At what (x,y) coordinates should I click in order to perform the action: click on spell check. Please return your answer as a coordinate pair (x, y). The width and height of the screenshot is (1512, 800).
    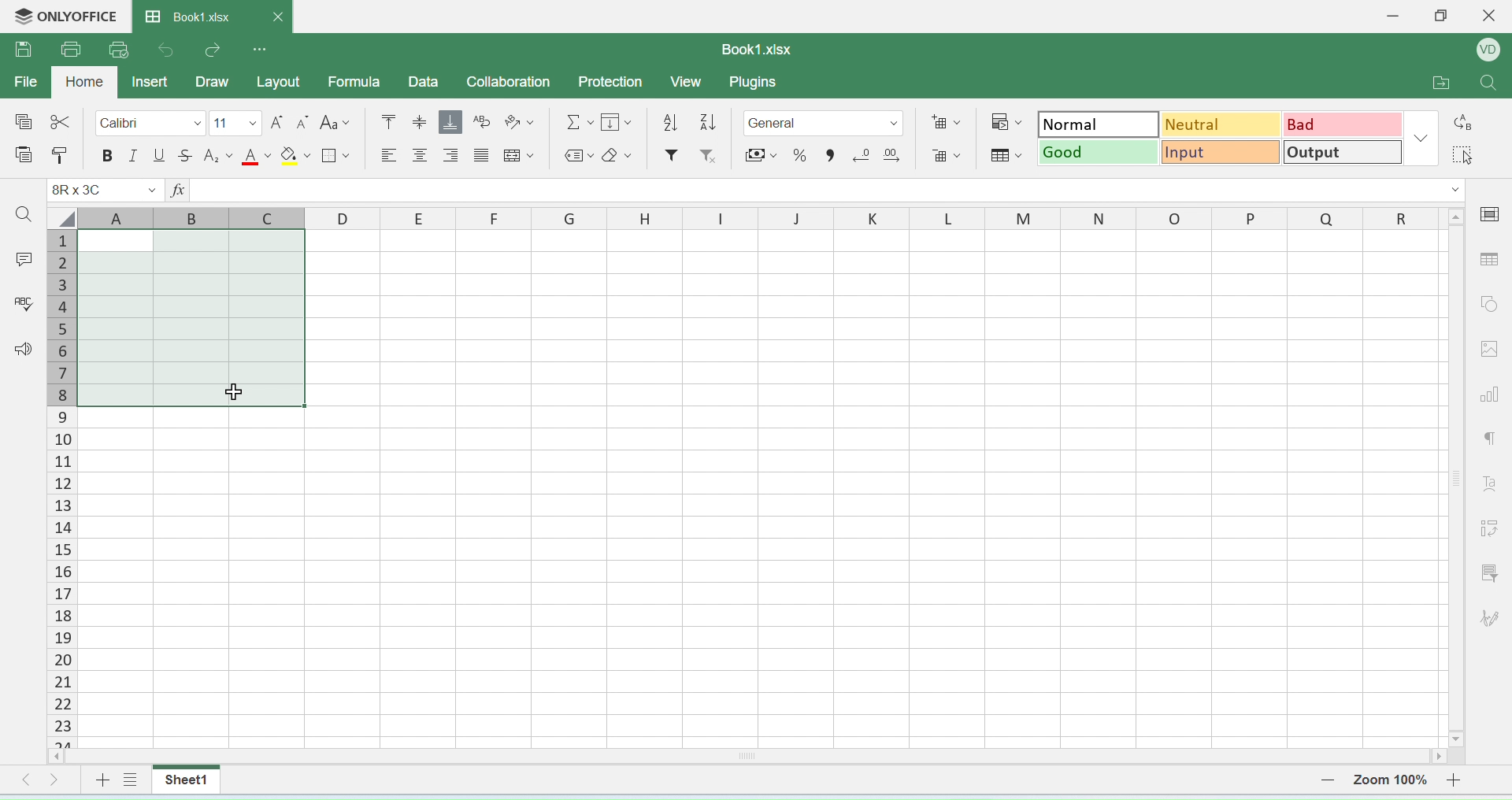
    Looking at the image, I should click on (24, 302).